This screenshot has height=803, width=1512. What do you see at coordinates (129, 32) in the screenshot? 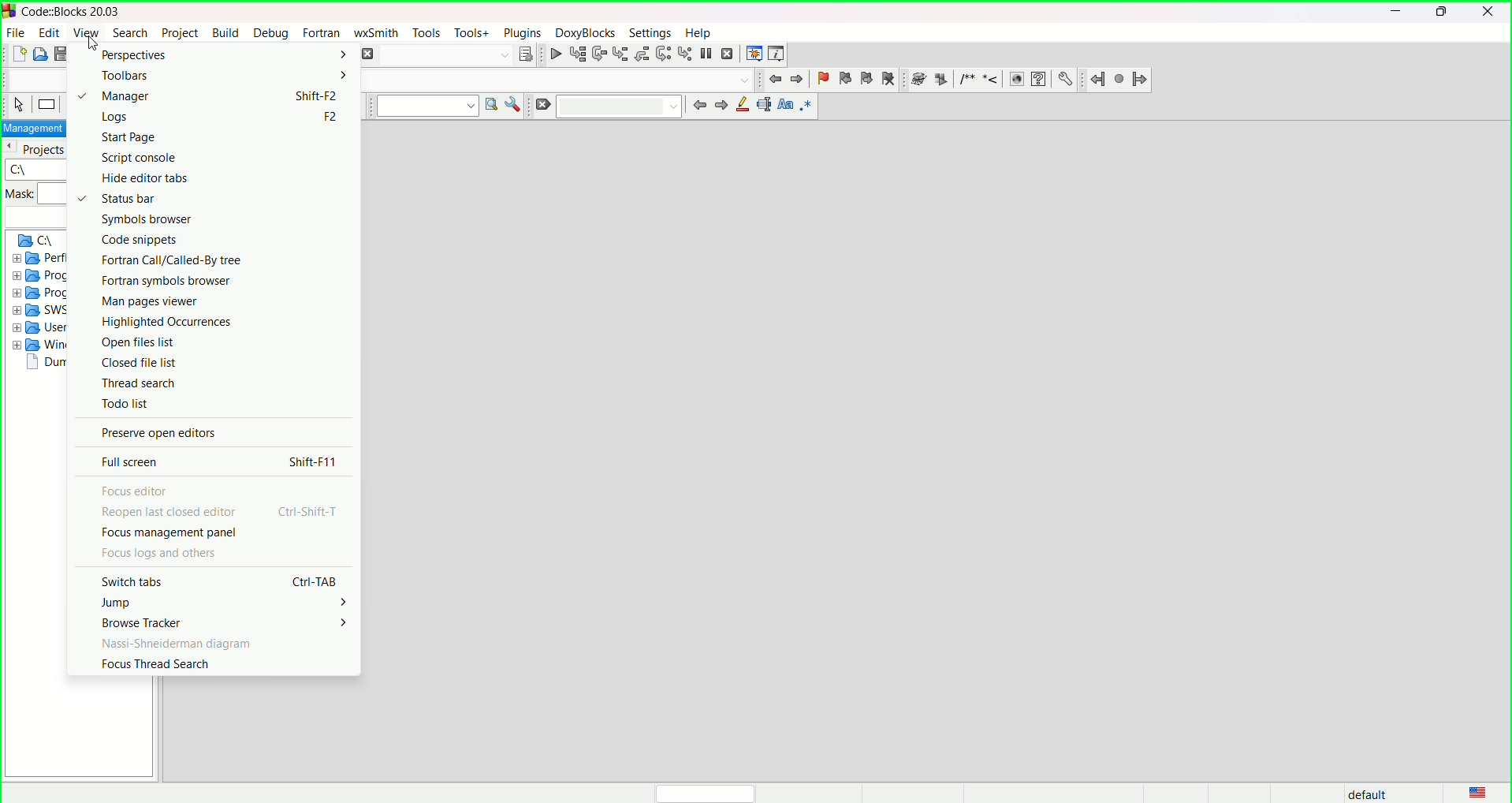
I see `search` at bounding box center [129, 32].